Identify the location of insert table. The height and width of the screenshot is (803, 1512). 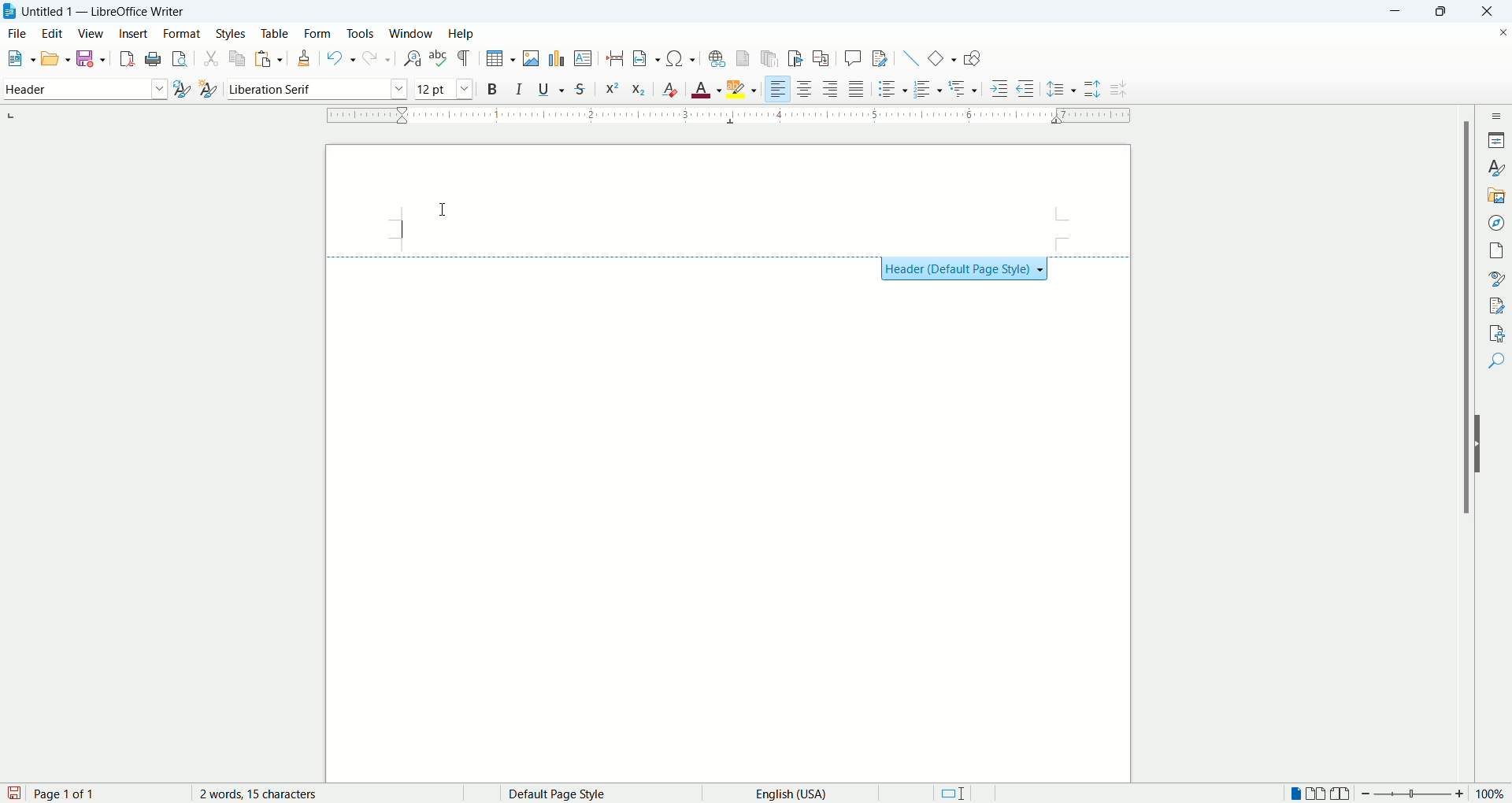
(501, 59).